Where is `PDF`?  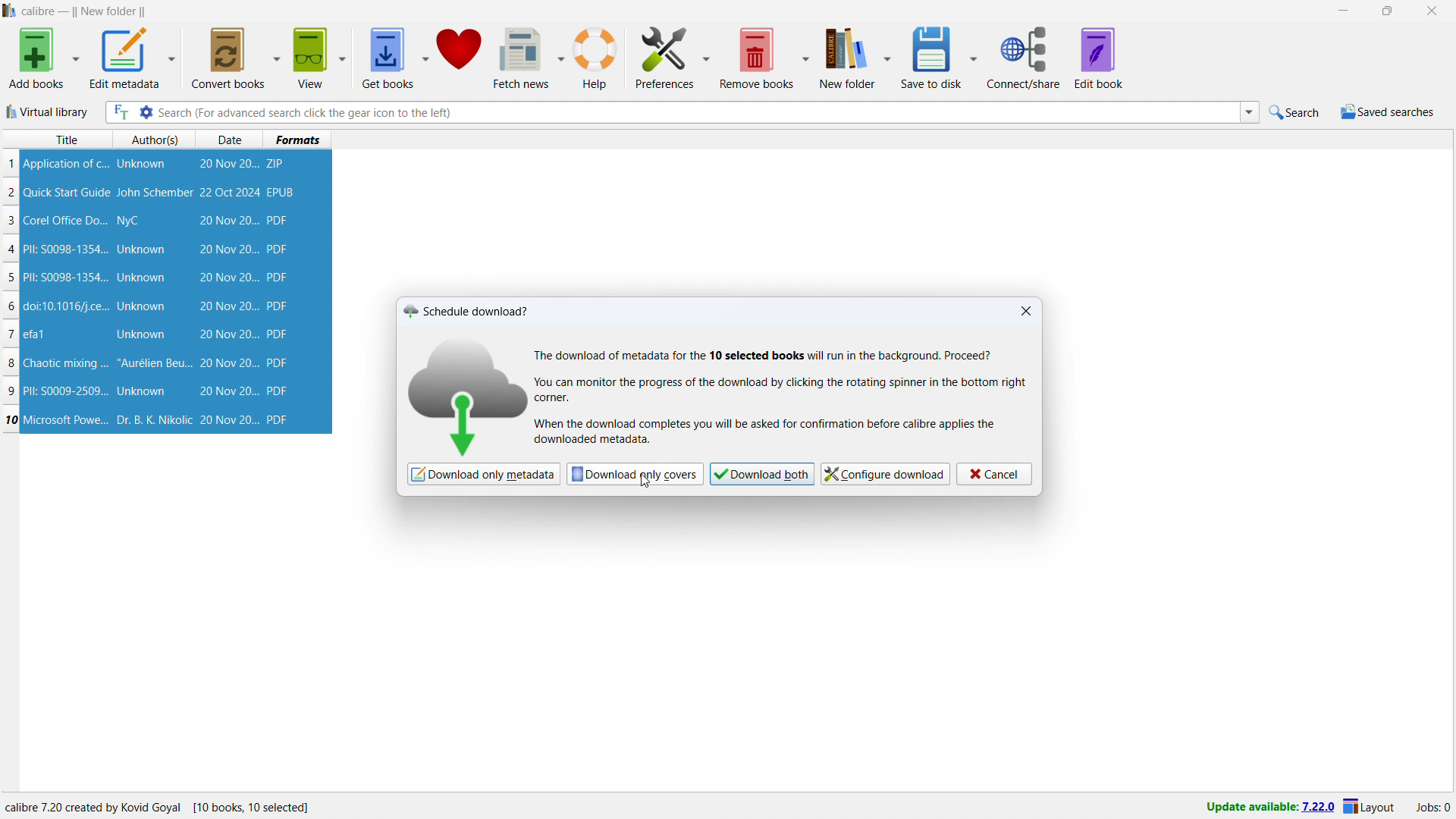
PDF is located at coordinates (279, 362).